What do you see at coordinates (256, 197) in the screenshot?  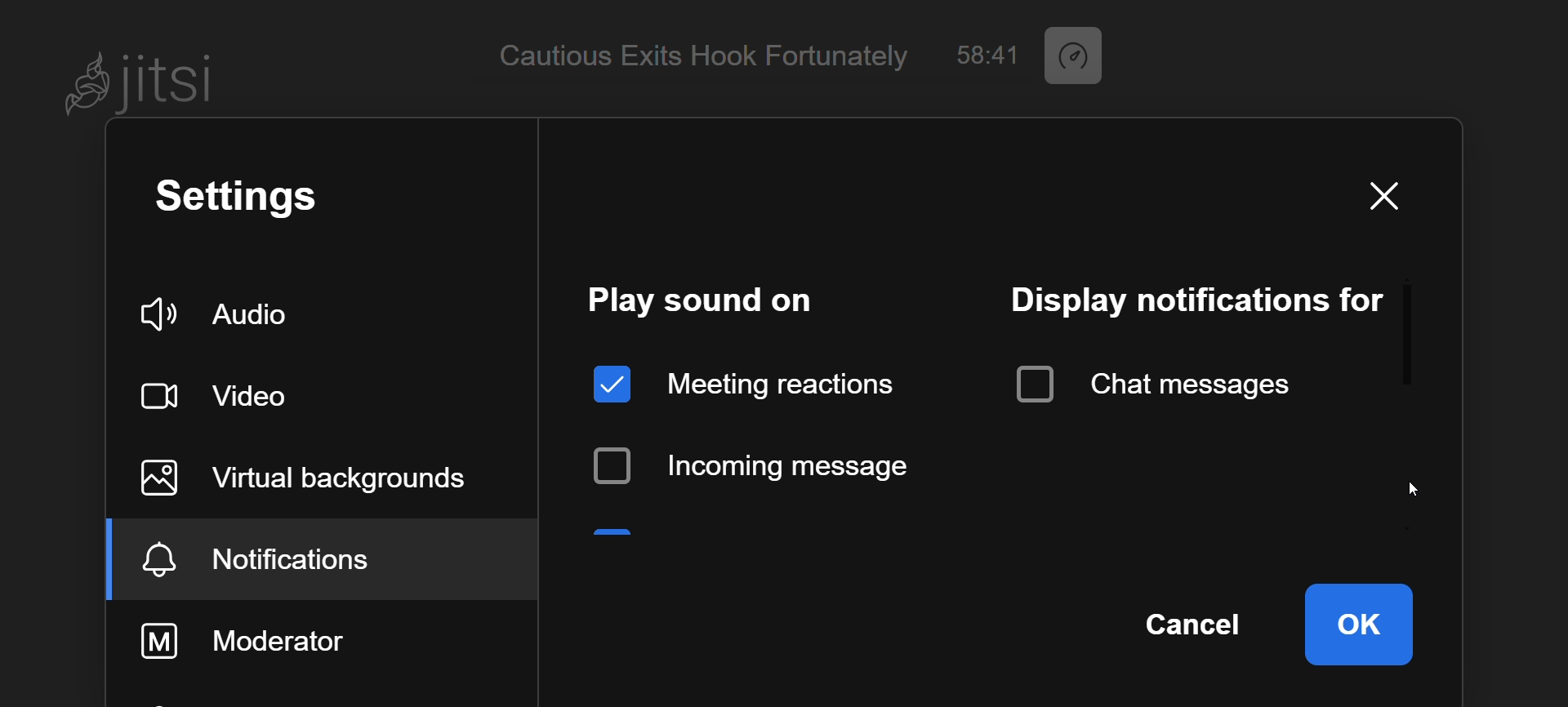 I see `setting` at bounding box center [256, 197].